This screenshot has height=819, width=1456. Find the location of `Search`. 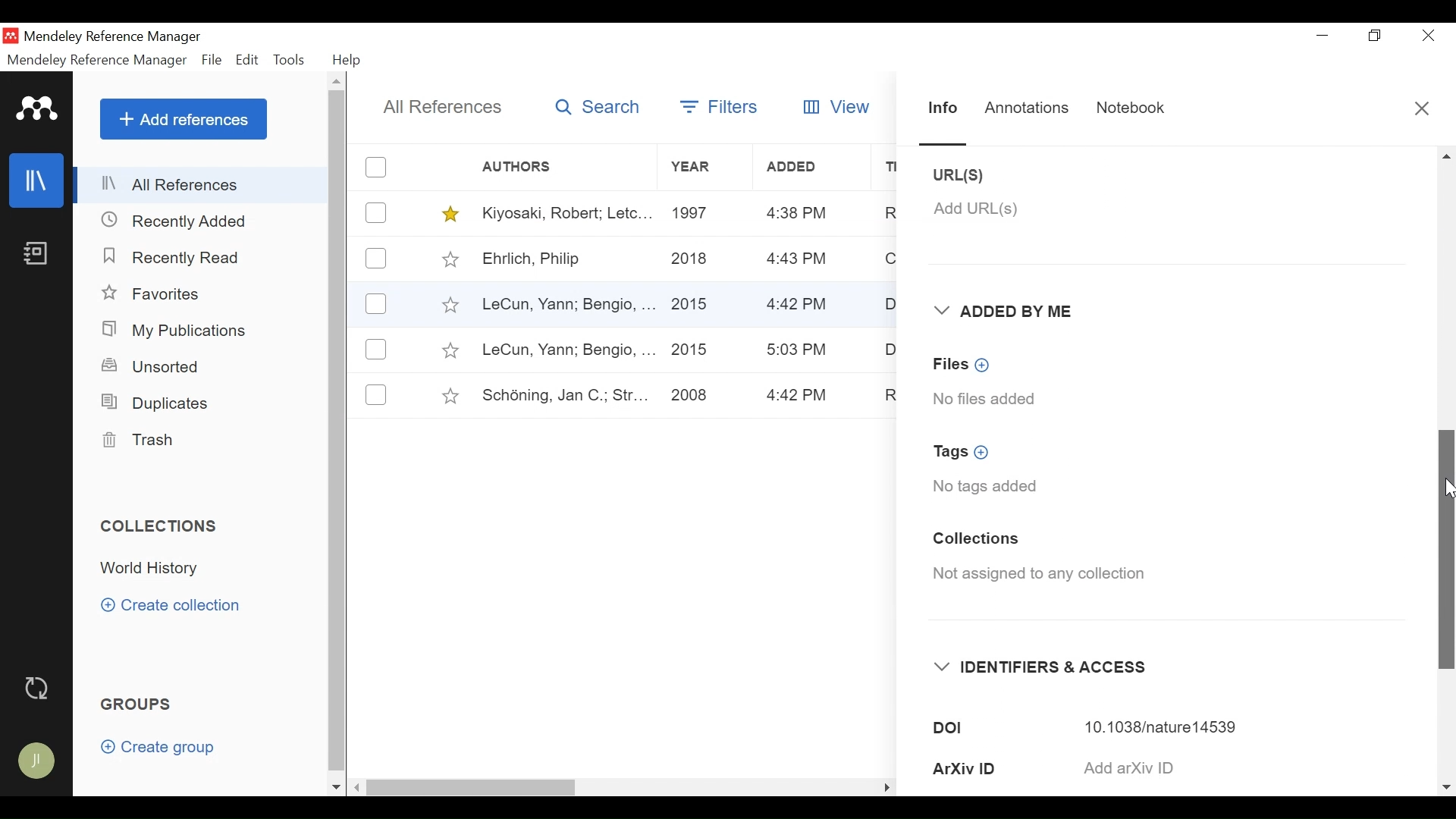

Search is located at coordinates (595, 106).